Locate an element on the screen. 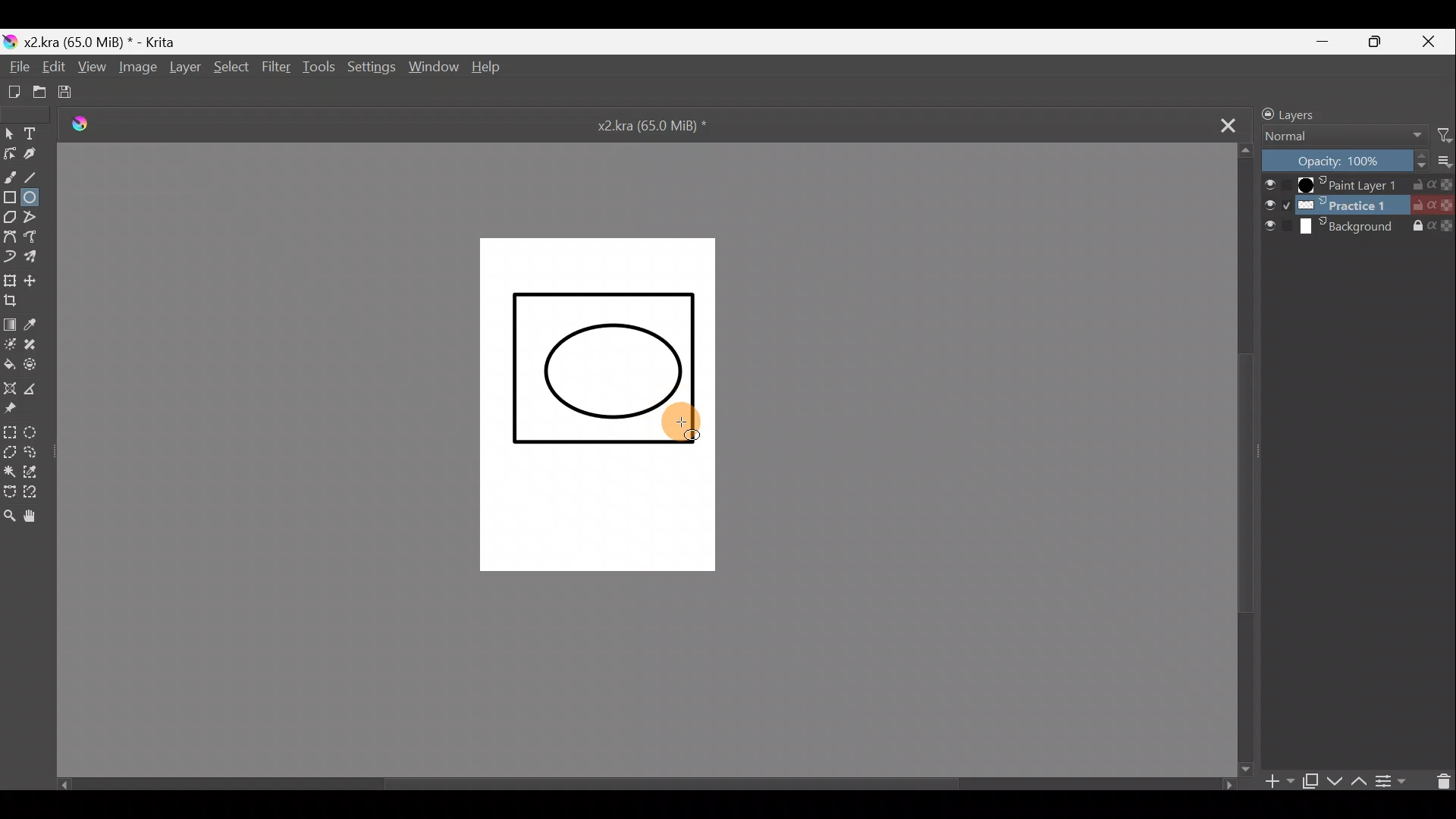 This screenshot has width=1456, height=819. Filter is located at coordinates (275, 66).